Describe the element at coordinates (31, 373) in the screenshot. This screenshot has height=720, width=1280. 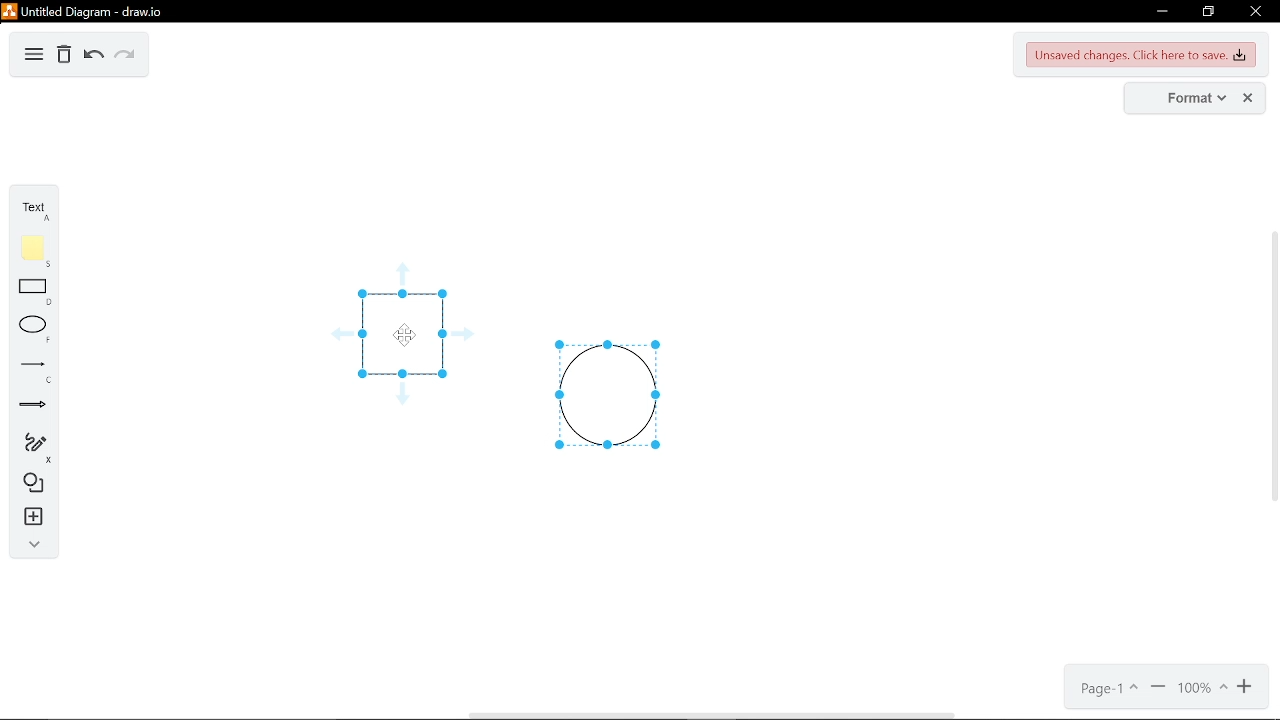
I see `line` at that location.